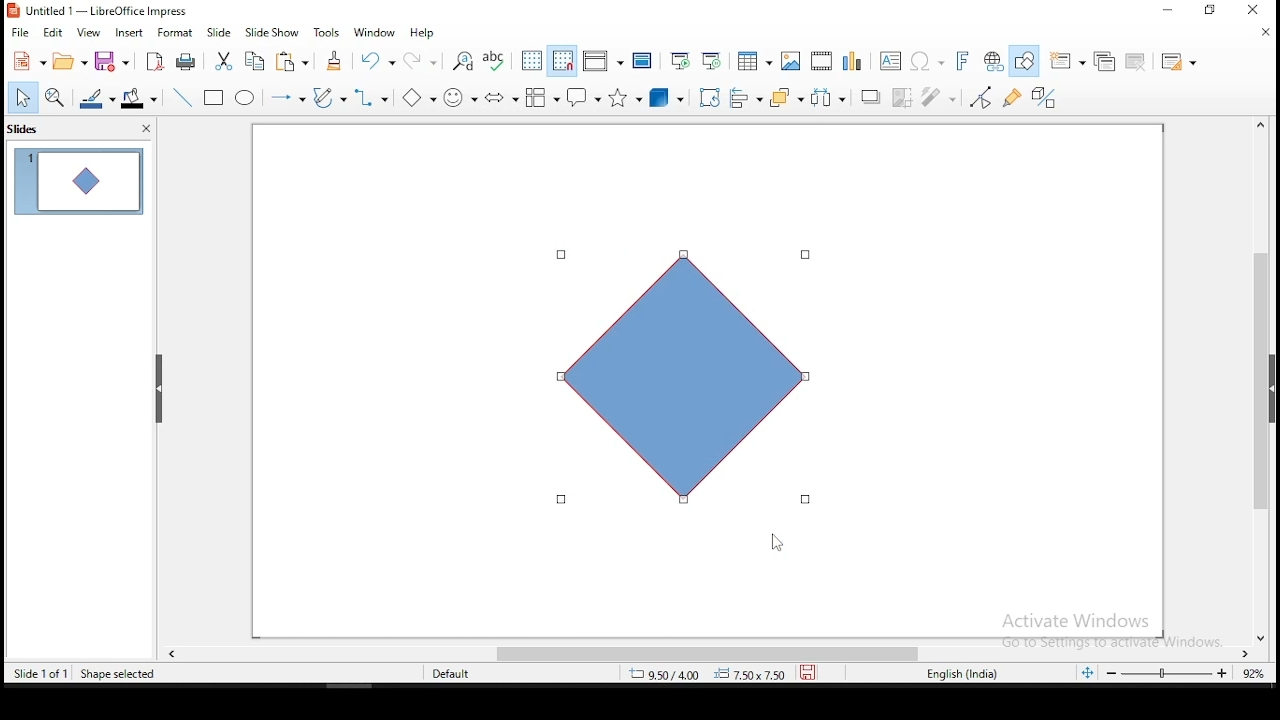 Image resolution: width=1280 pixels, height=720 pixels. Describe the element at coordinates (328, 32) in the screenshot. I see `tools` at that location.